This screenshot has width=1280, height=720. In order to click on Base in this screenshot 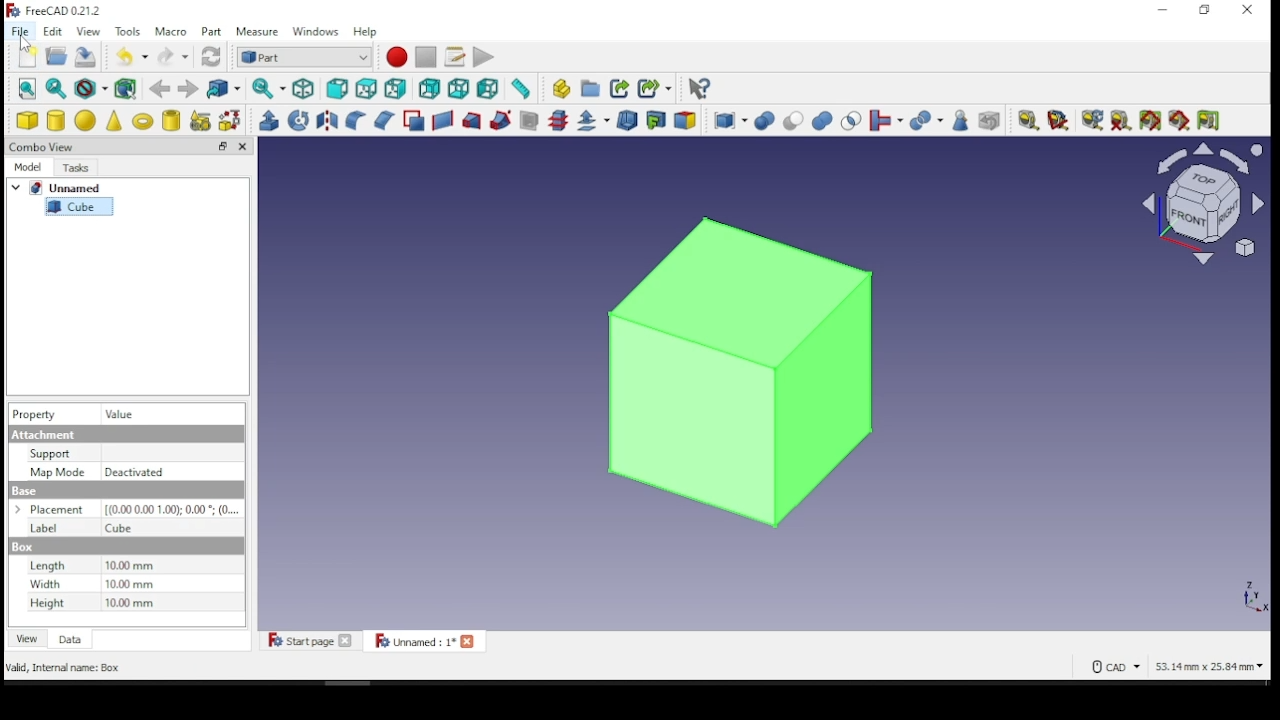, I will do `click(22, 548)`.